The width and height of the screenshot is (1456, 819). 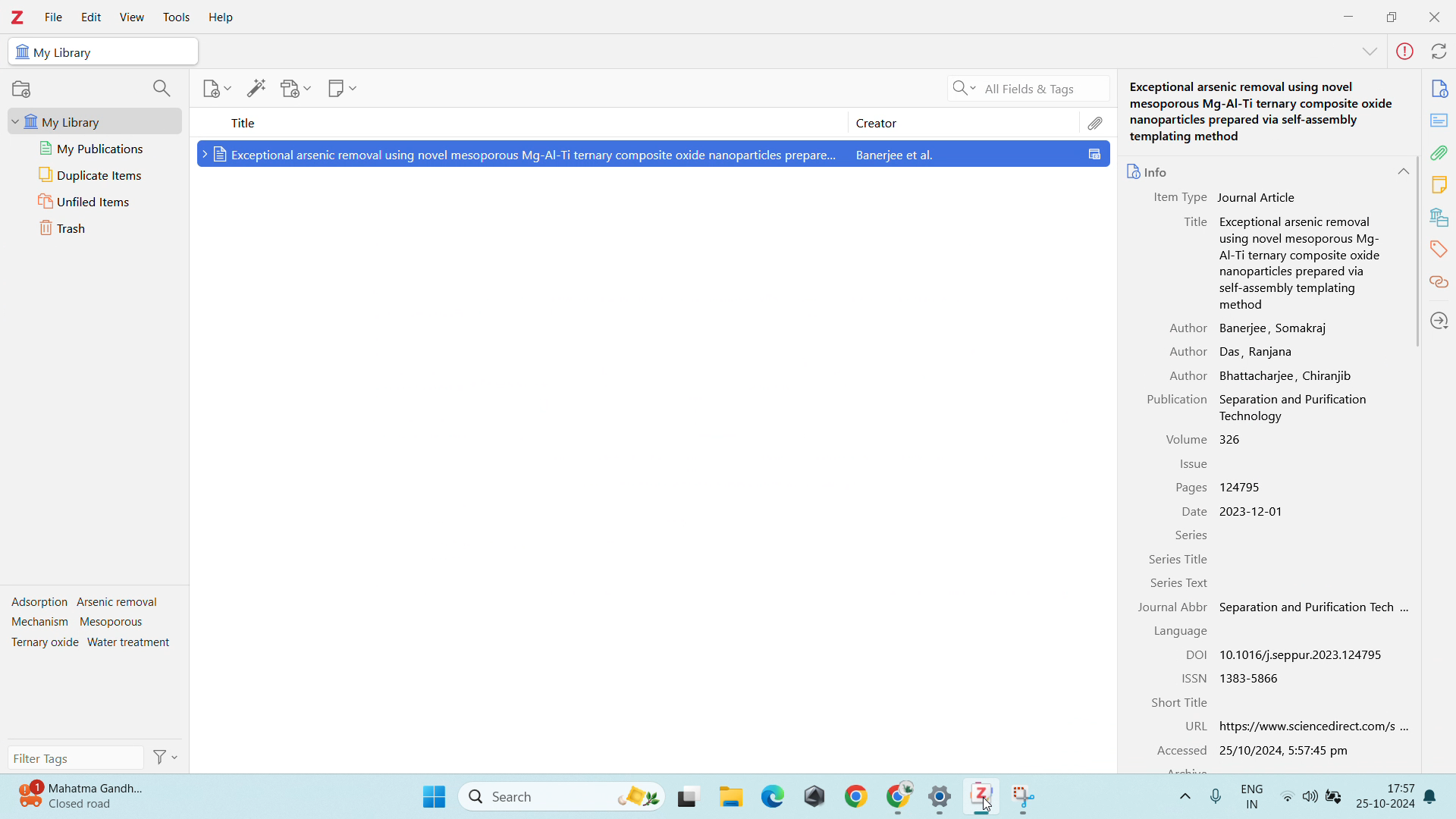 What do you see at coordinates (1406, 51) in the screenshot?
I see `error in sync` at bounding box center [1406, 51].